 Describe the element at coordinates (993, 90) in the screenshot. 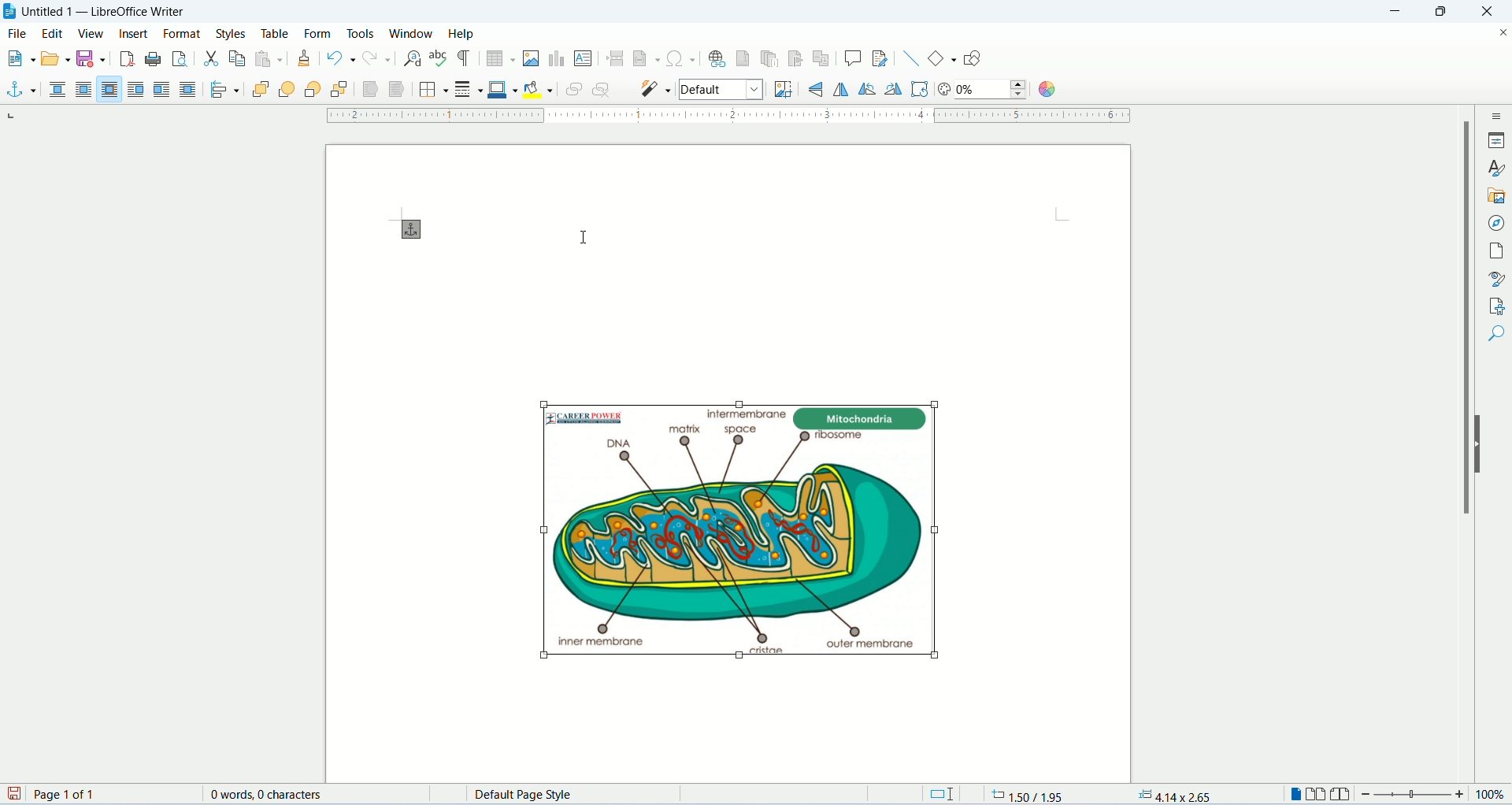

I see `transparency` at that location.